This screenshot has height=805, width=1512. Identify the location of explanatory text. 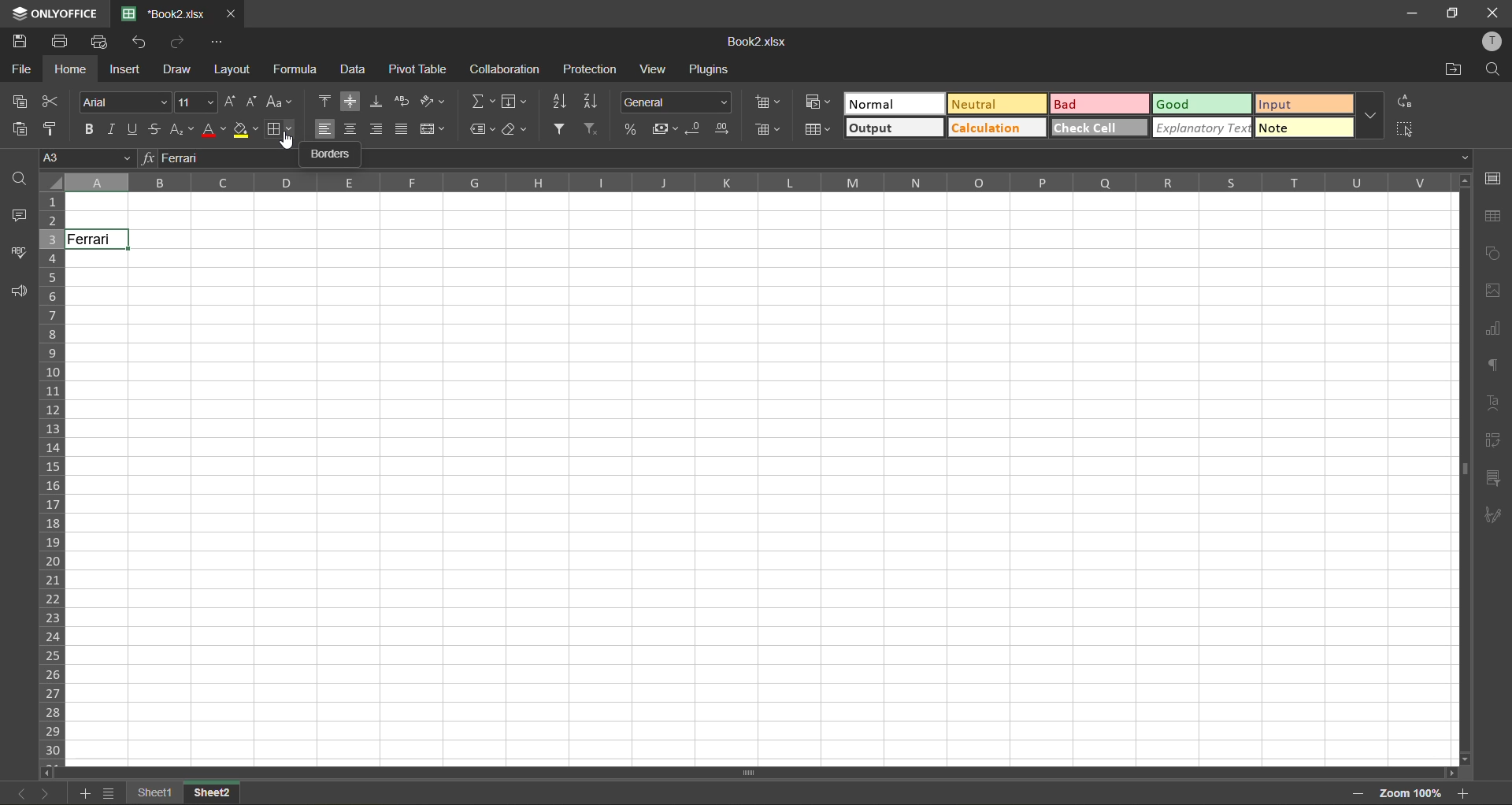
(1202, 128).